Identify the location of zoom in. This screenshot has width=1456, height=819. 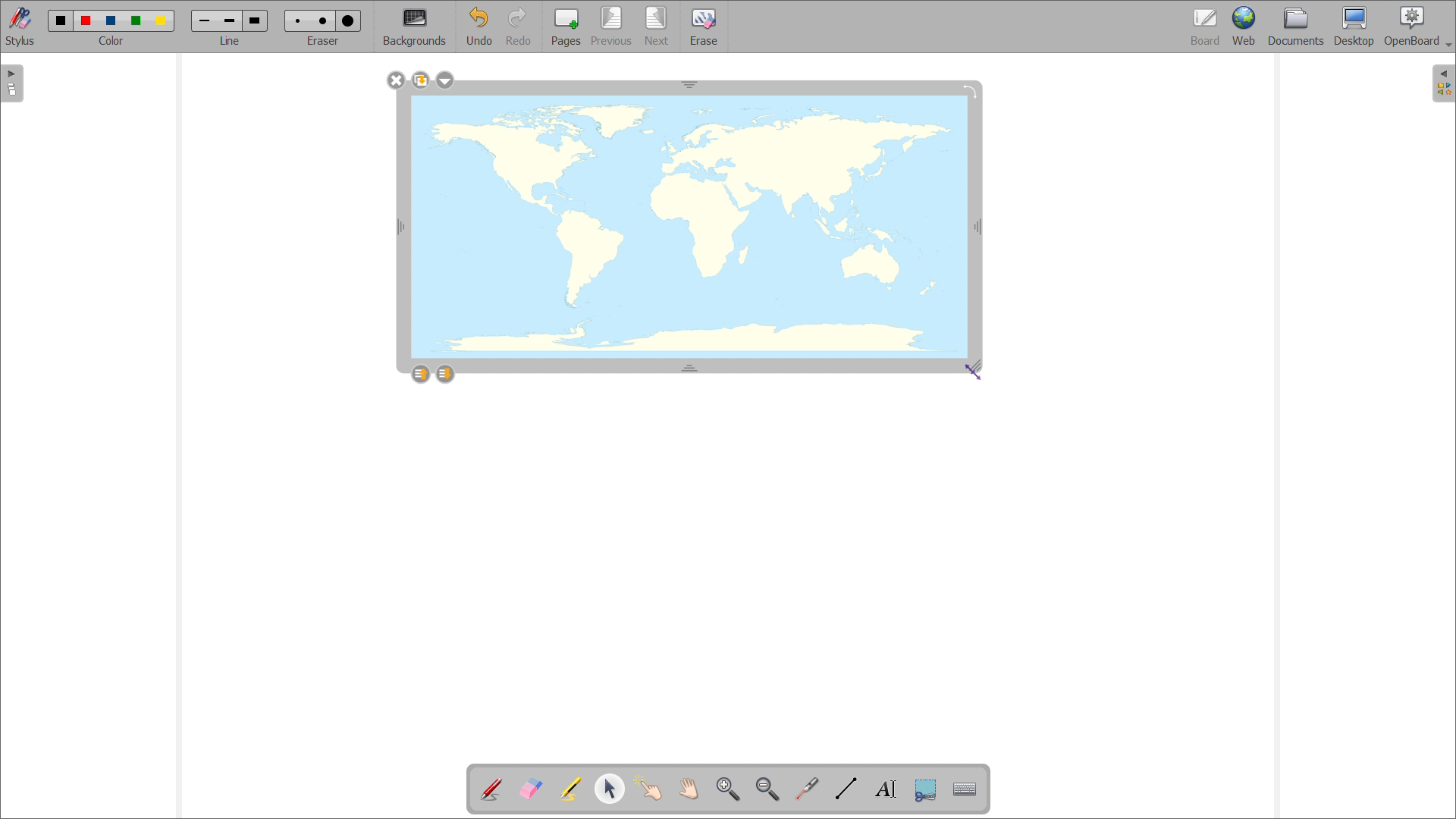
(730, 790).